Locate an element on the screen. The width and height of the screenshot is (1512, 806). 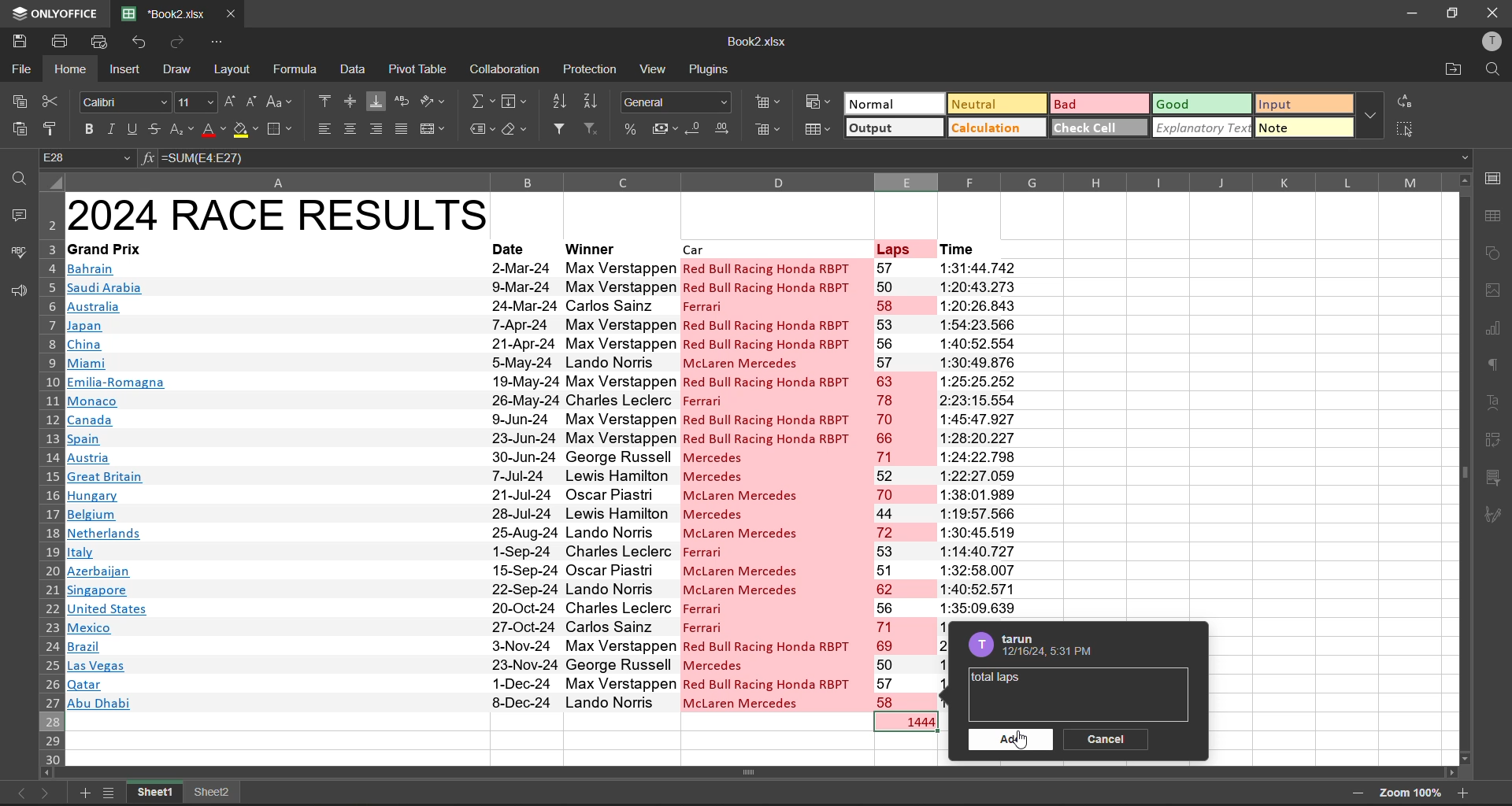
column name is located at coordinates (751, 181).